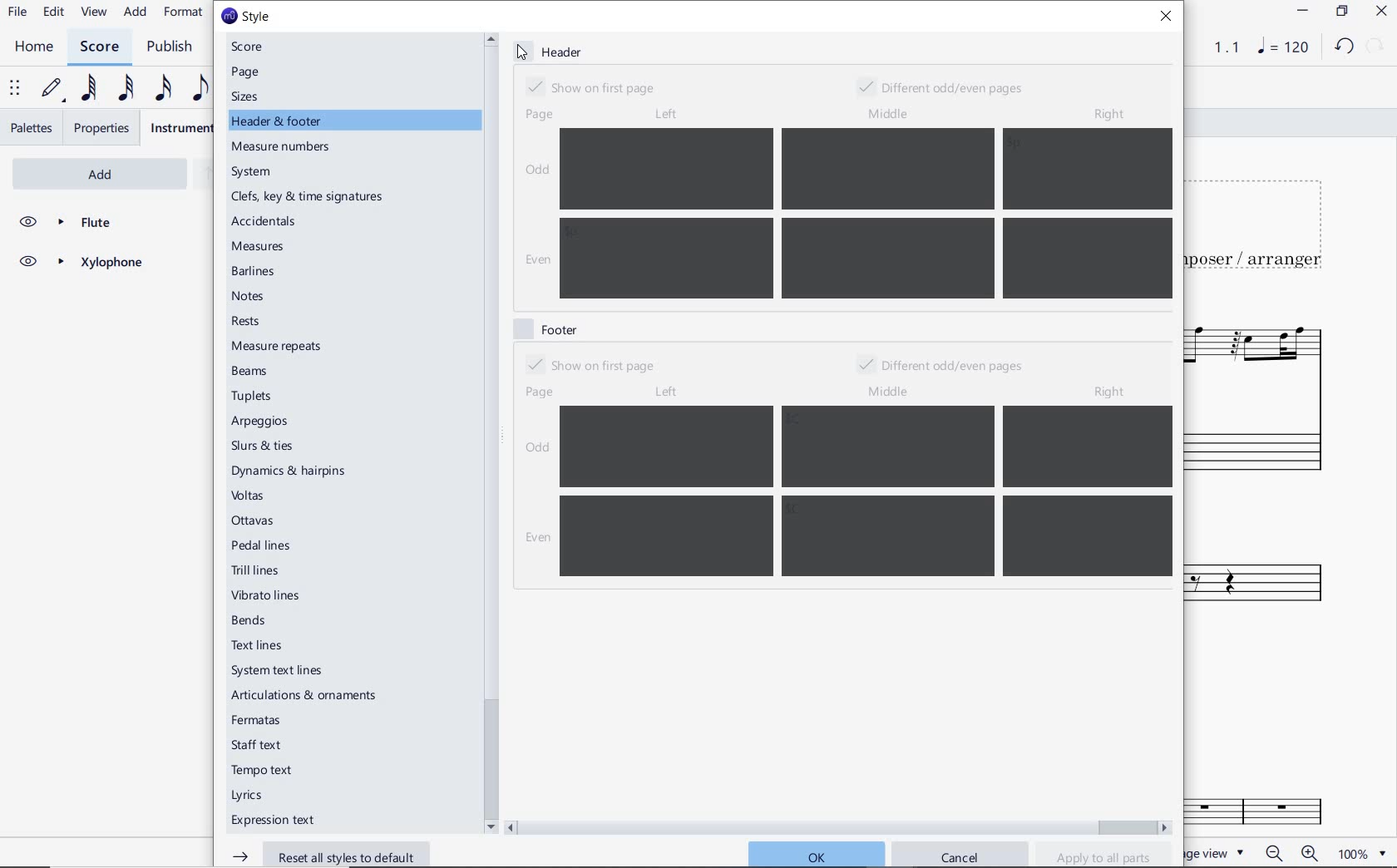 The image size is (1397, 868). Describe the element at coordinates (184, 13) in the screenshot. I see `FORMAT` at that location.